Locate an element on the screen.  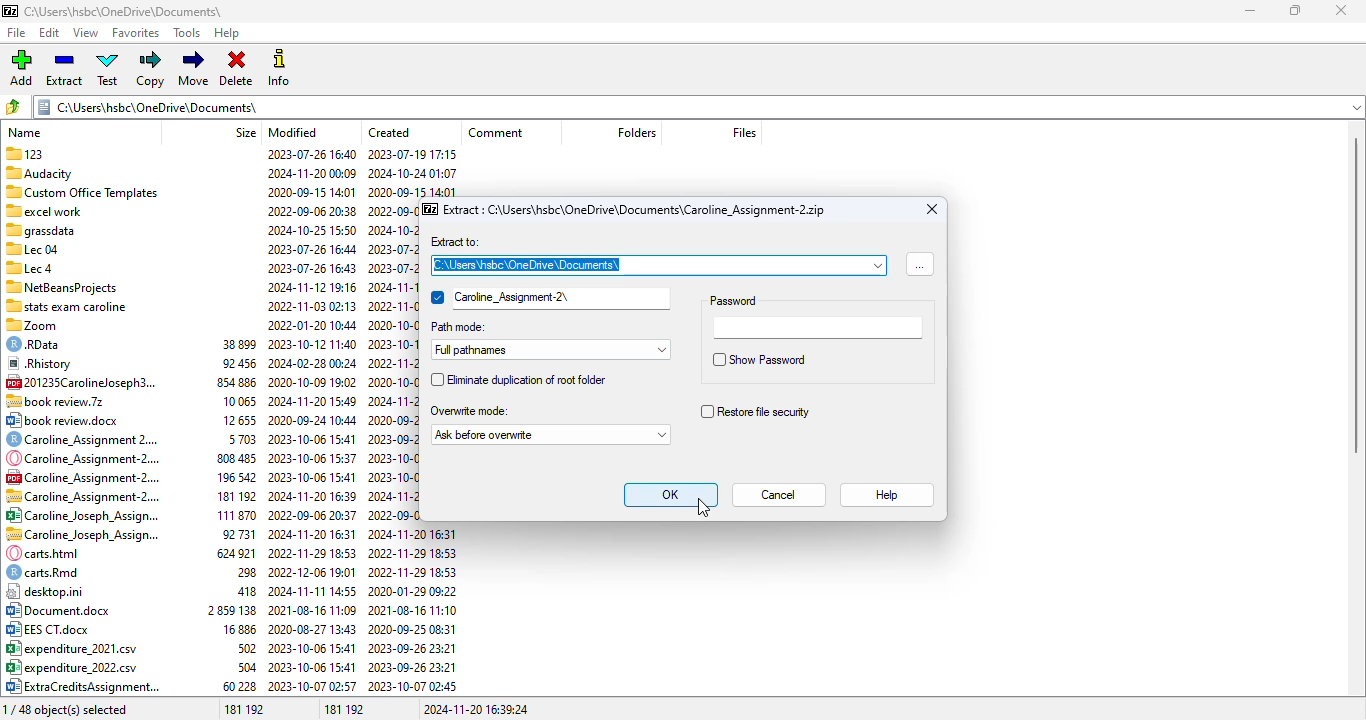
 EES CT.docx 16886 2020-08-27 13:43 2020-09-25 08:31 is located at coordinates (232, 630).